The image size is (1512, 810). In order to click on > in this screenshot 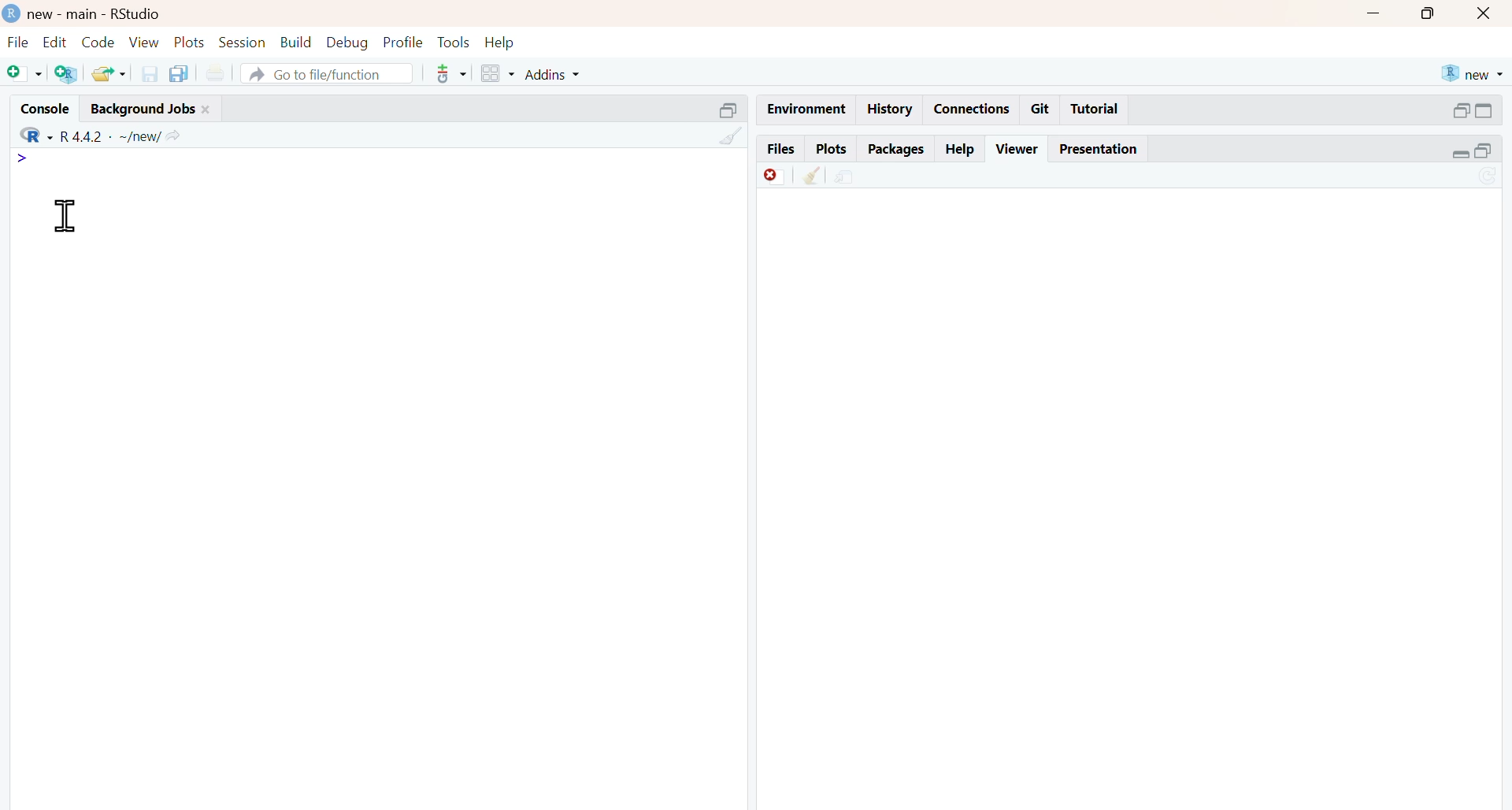, I will do `click(21, 158)`.